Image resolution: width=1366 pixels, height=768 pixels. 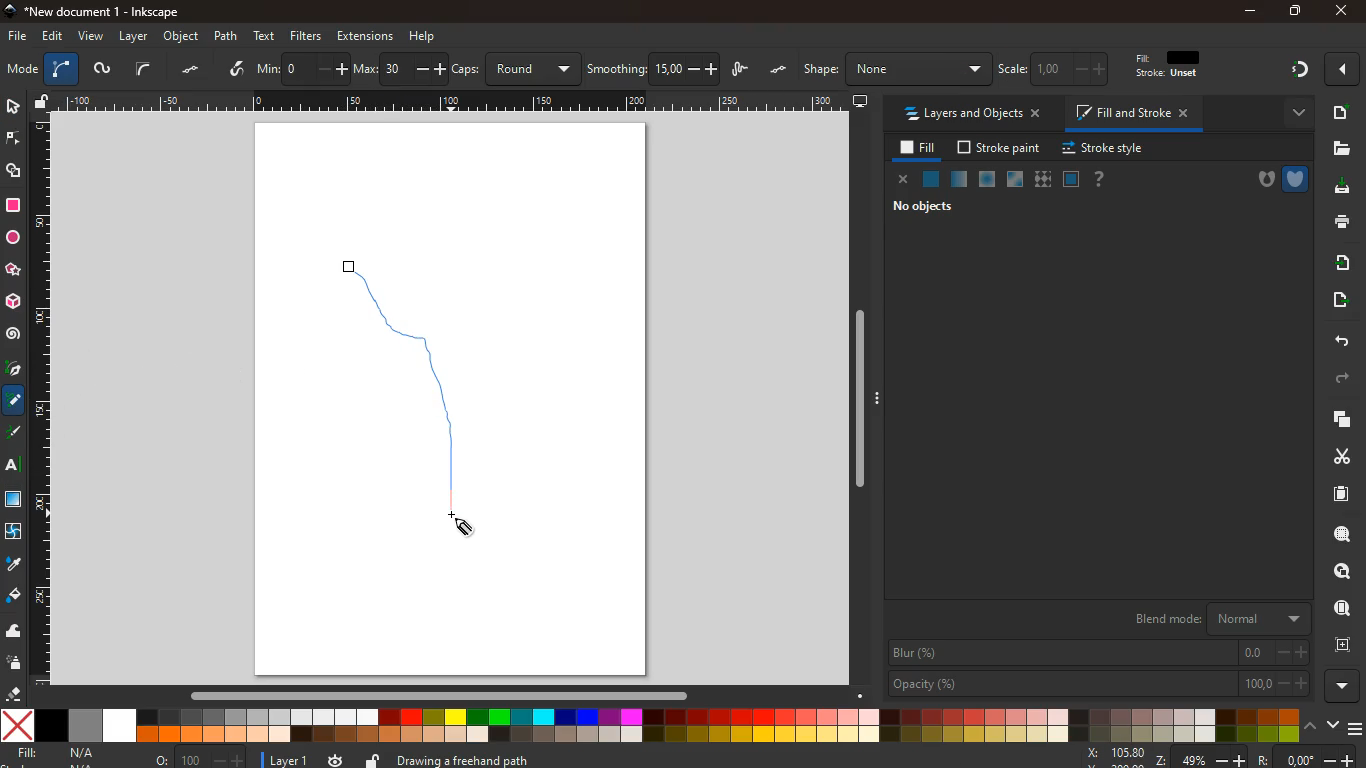 I want to click on spiral, so click(x=13, y=334).